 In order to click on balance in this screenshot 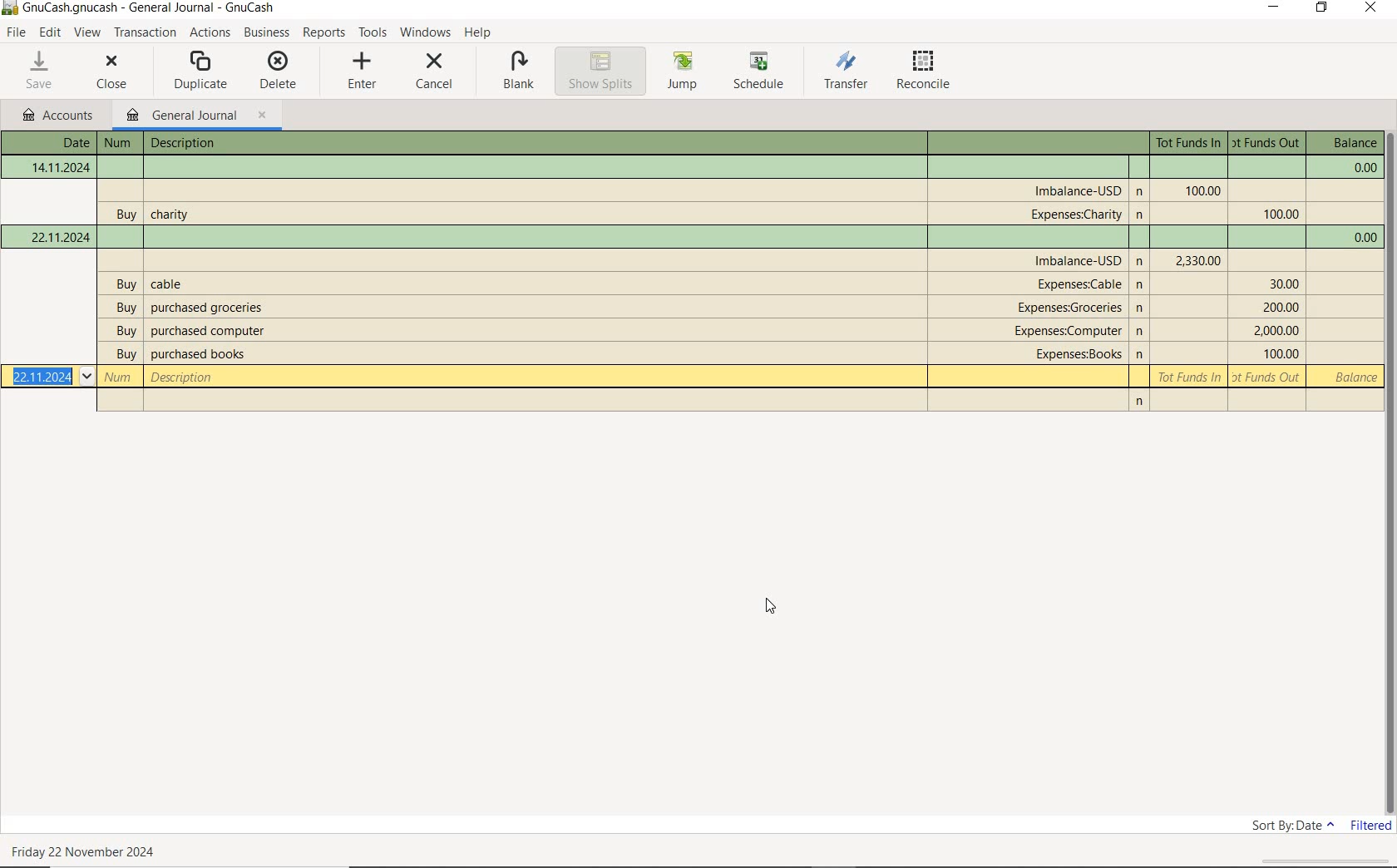, I will do `click(1350, 144)`.